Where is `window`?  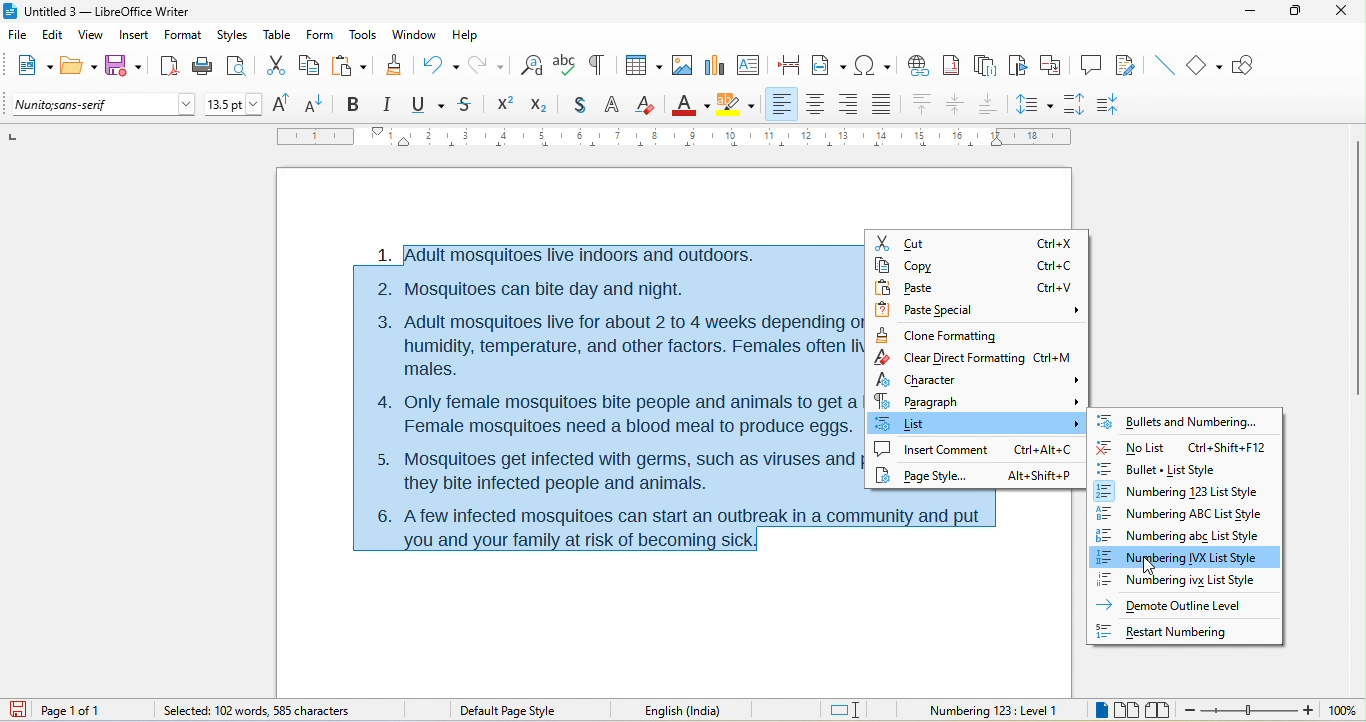 window is located at coordinates (413, 37).